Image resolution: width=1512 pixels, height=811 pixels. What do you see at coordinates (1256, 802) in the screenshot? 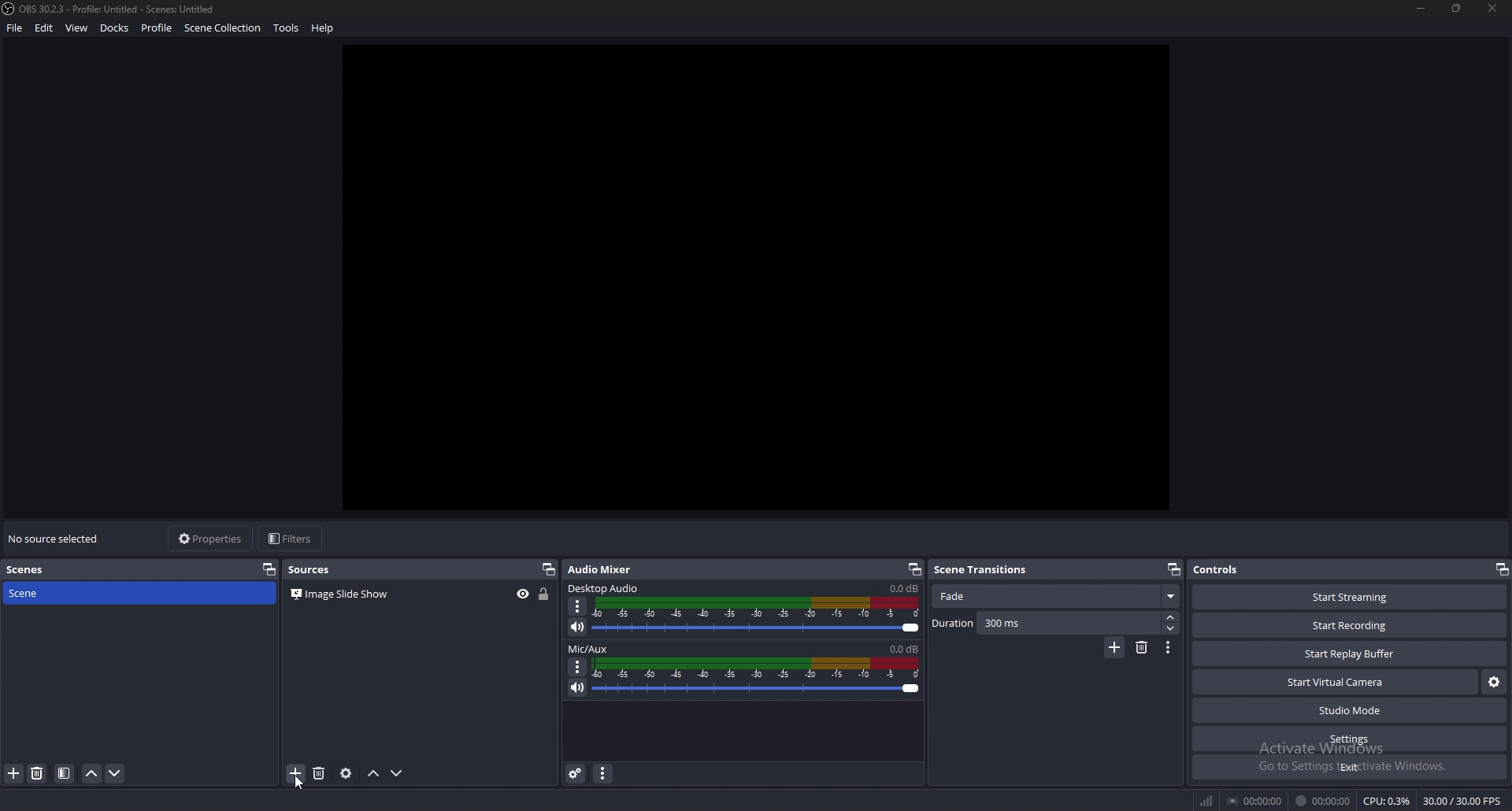
I see `streaming duration` at bounding box center [1256, 802].